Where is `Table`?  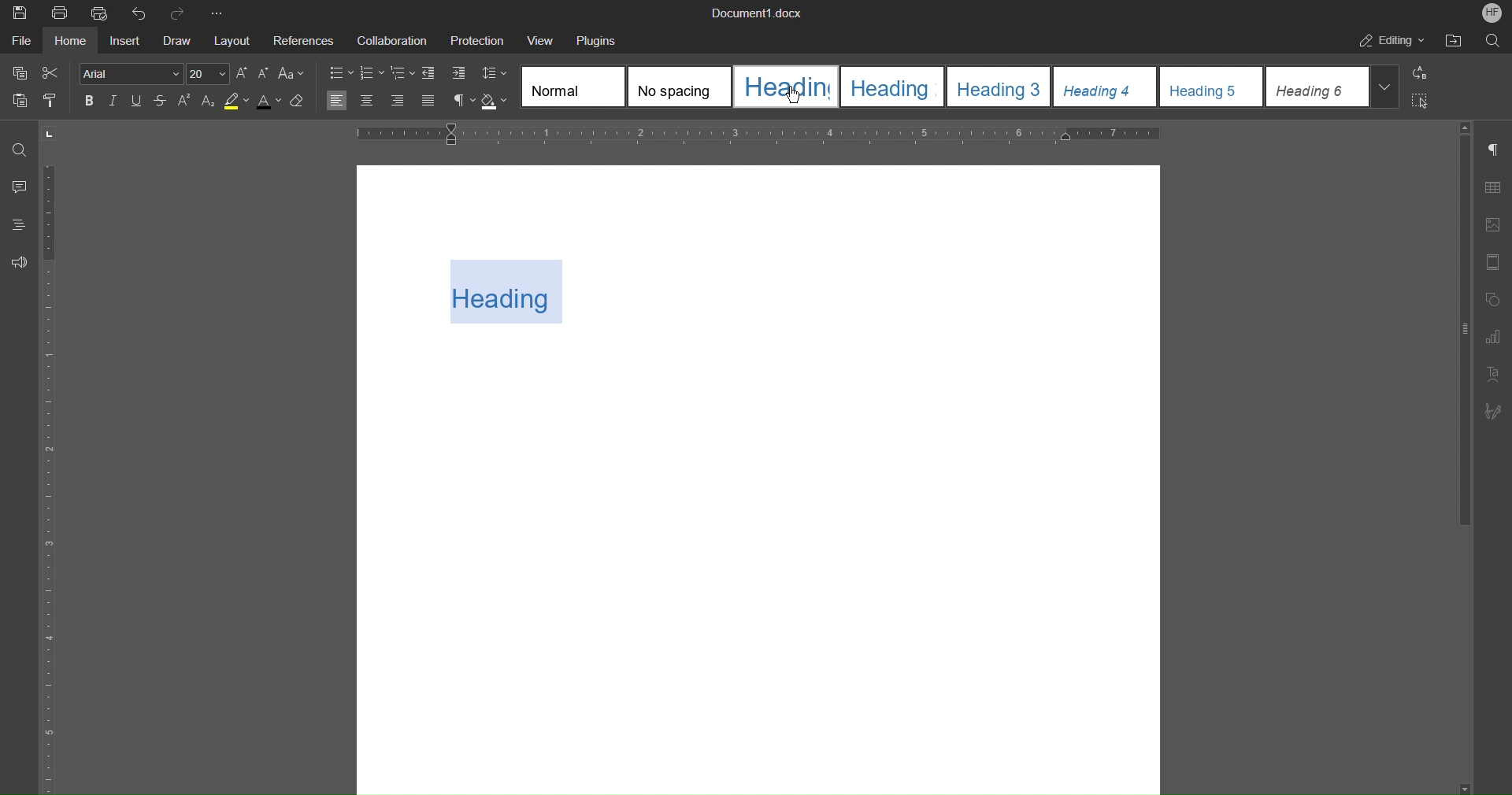
Table is located at coordinates (1494, 189).